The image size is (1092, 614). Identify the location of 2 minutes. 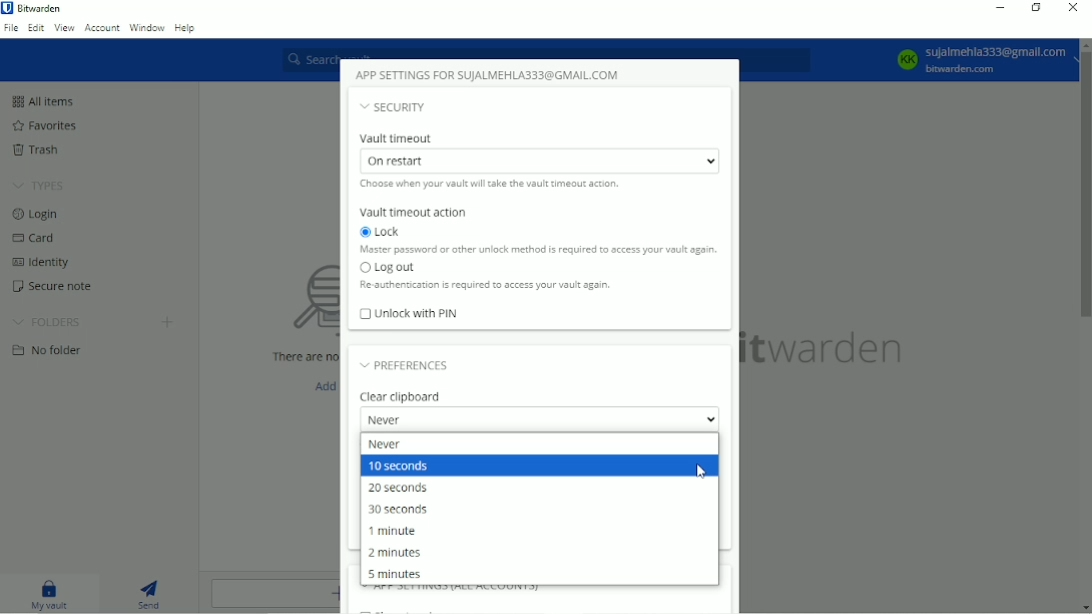
(398, 553).